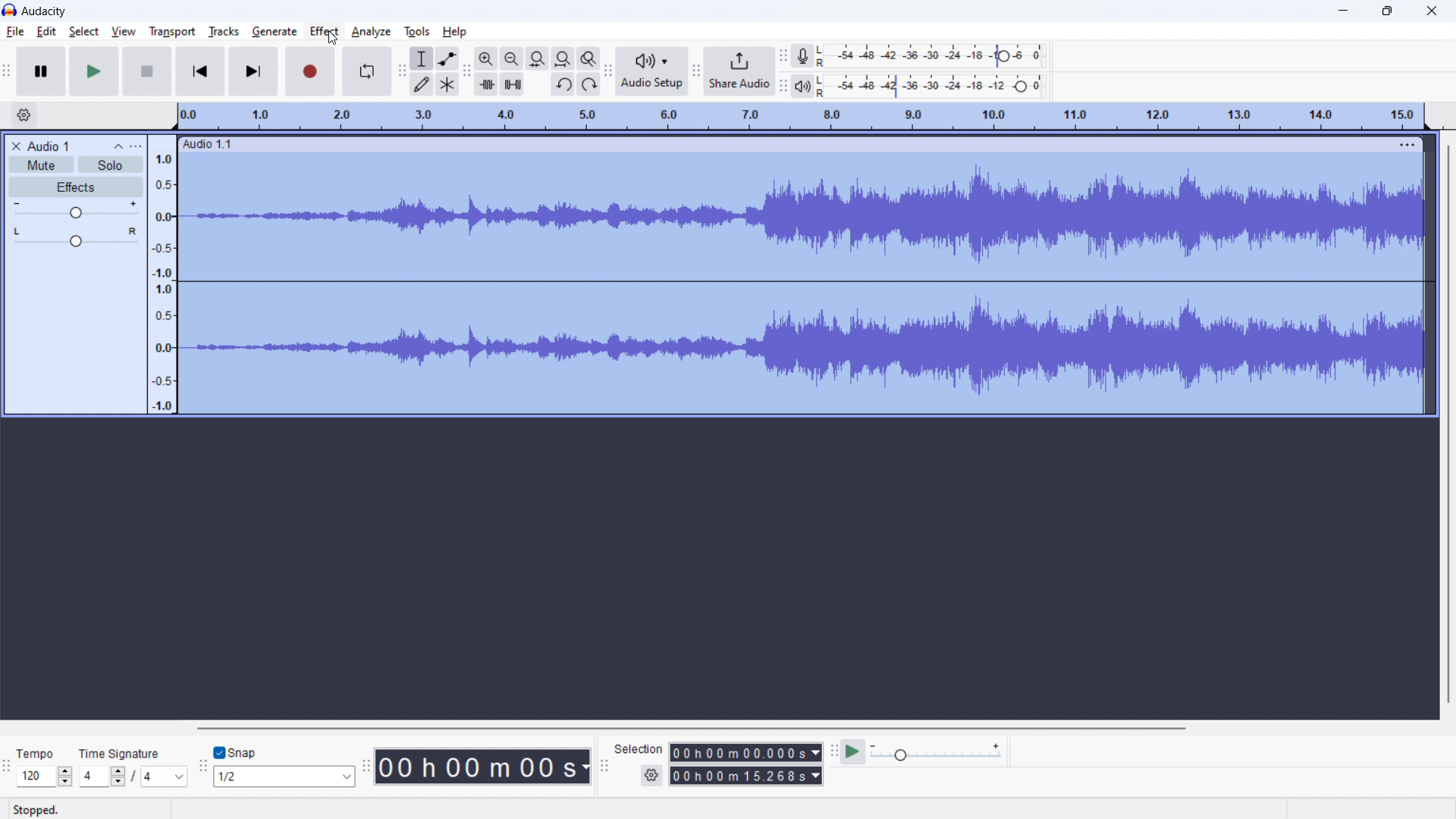 The height and width of the screenshot is (819, 1456). What do you see at coordinates (10, 10) in the screenshot?
I see `Audacity logo` at bounding box center [10, 10].